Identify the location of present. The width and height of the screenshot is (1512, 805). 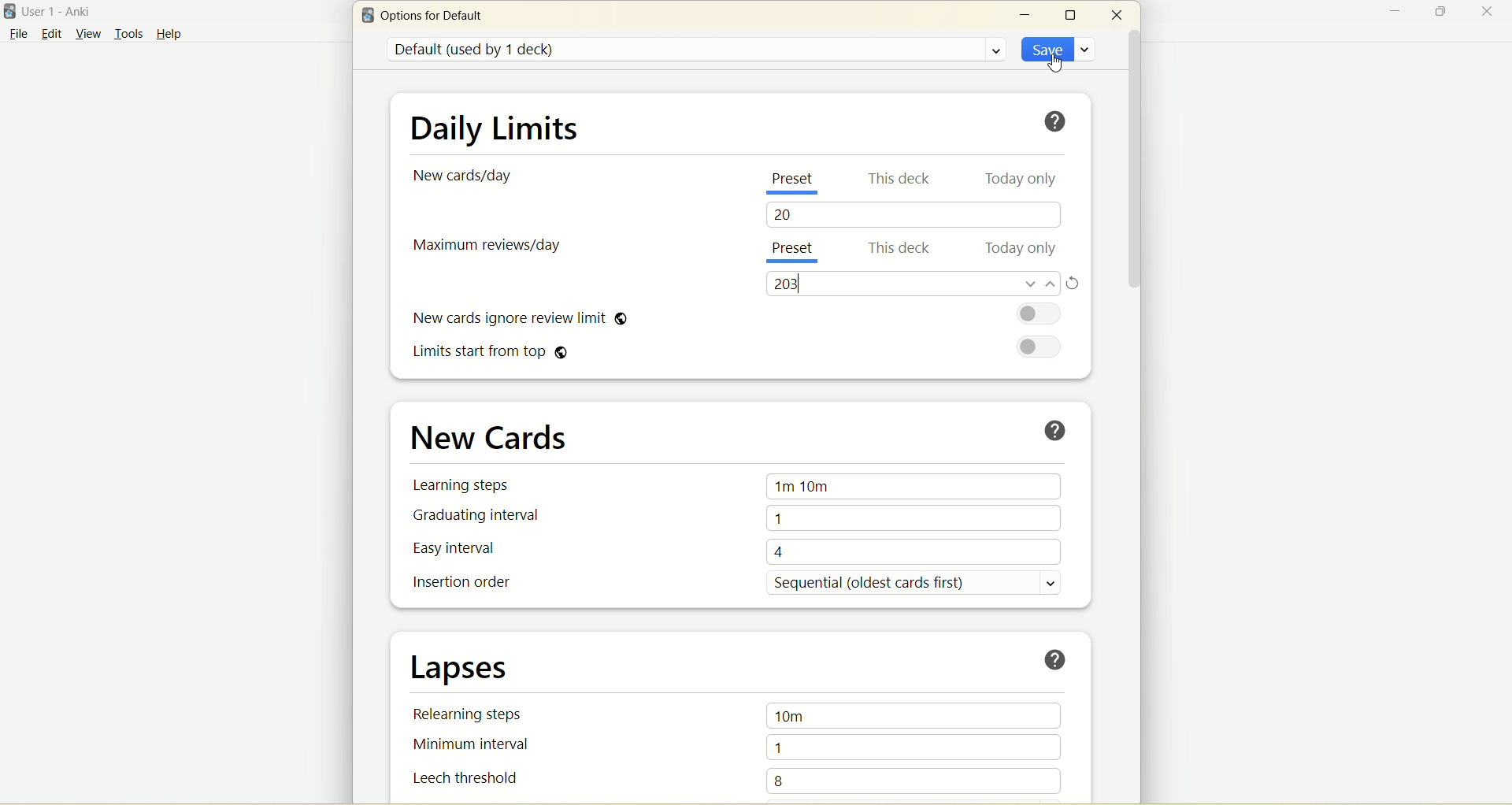
(792, 250).